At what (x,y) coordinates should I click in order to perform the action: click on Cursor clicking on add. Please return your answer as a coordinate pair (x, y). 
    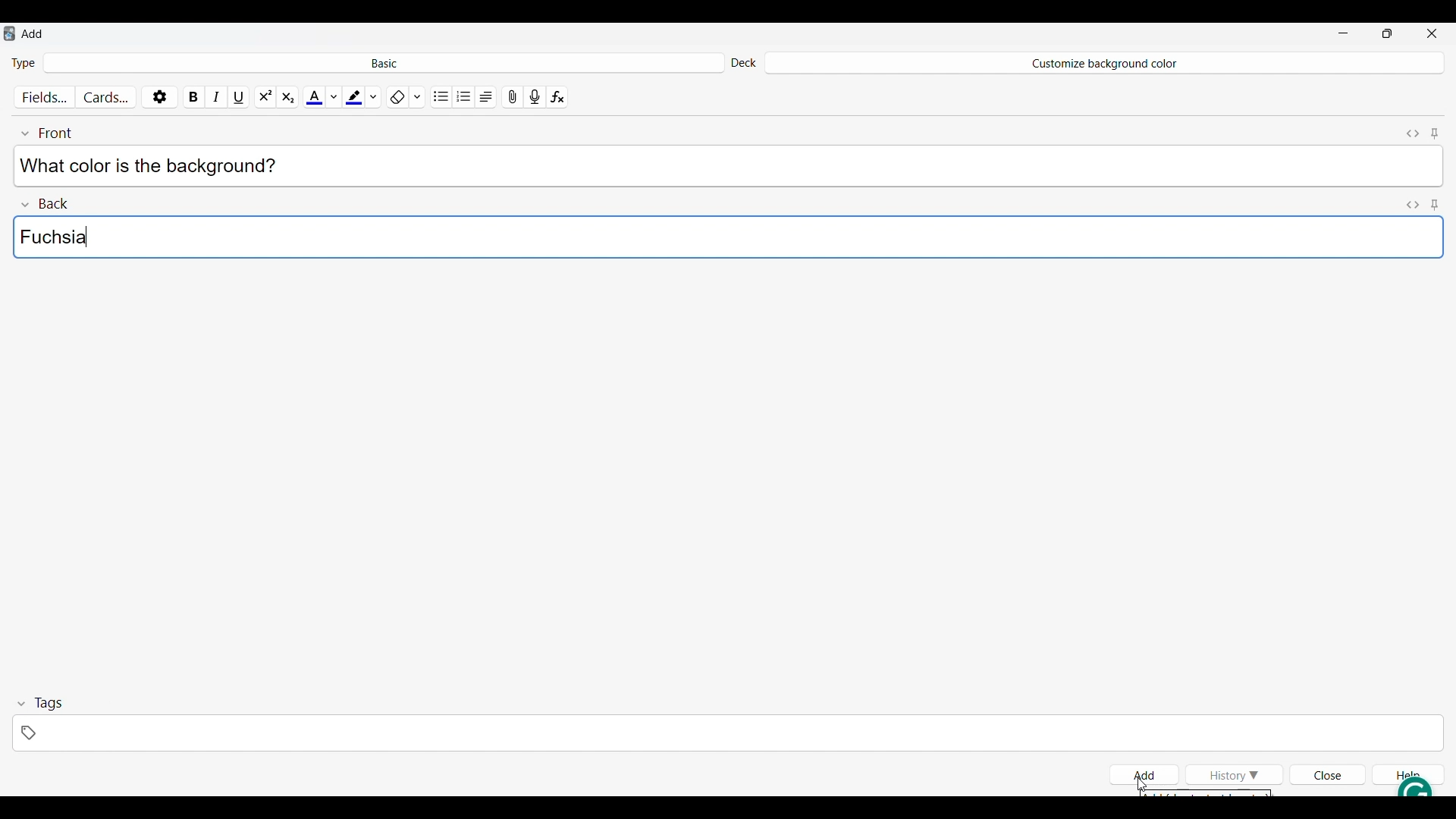
    Looking at the image, I should click on (1142, 784).